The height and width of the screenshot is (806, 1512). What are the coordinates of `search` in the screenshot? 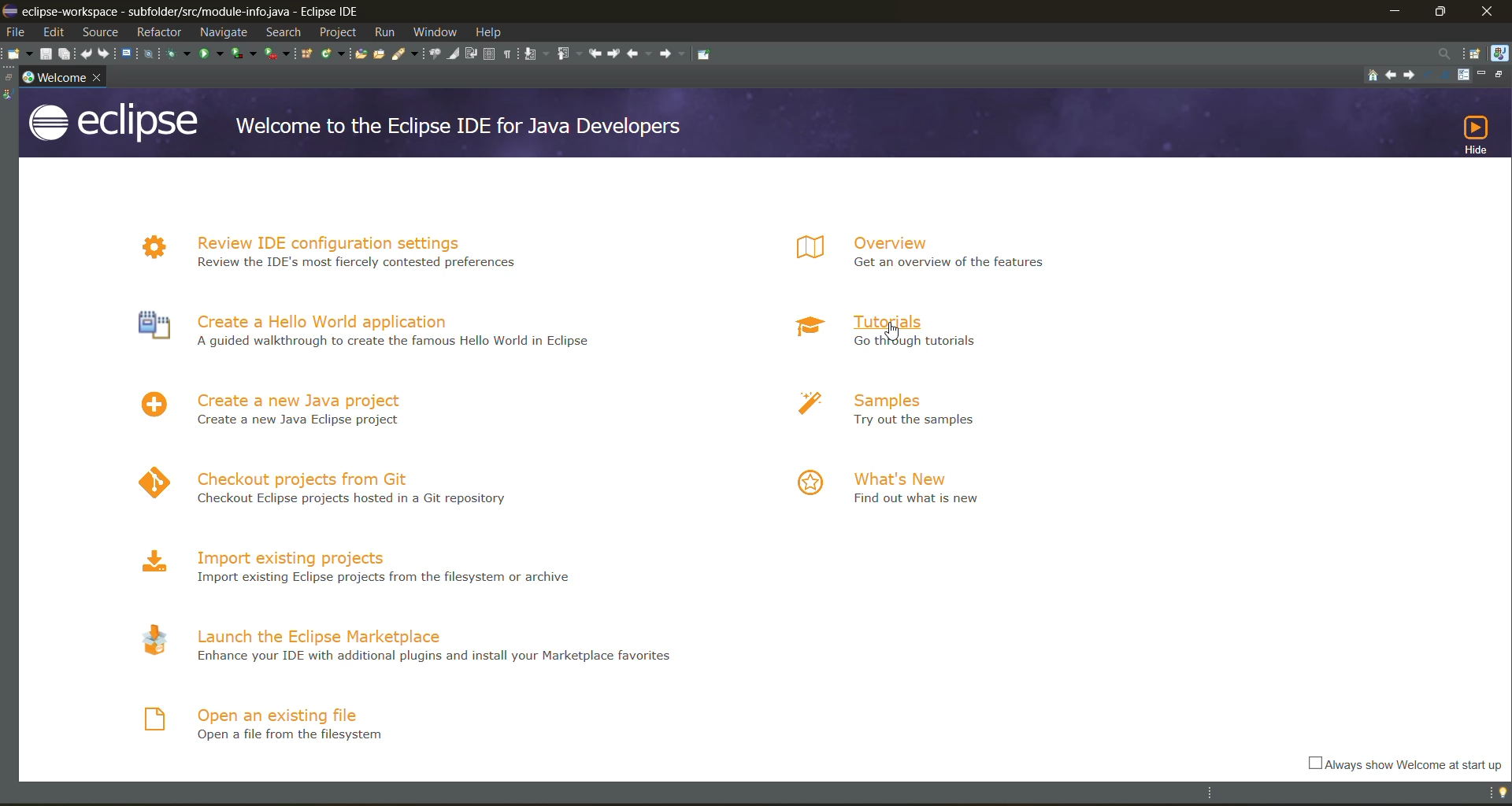 It's located at (283, 32).